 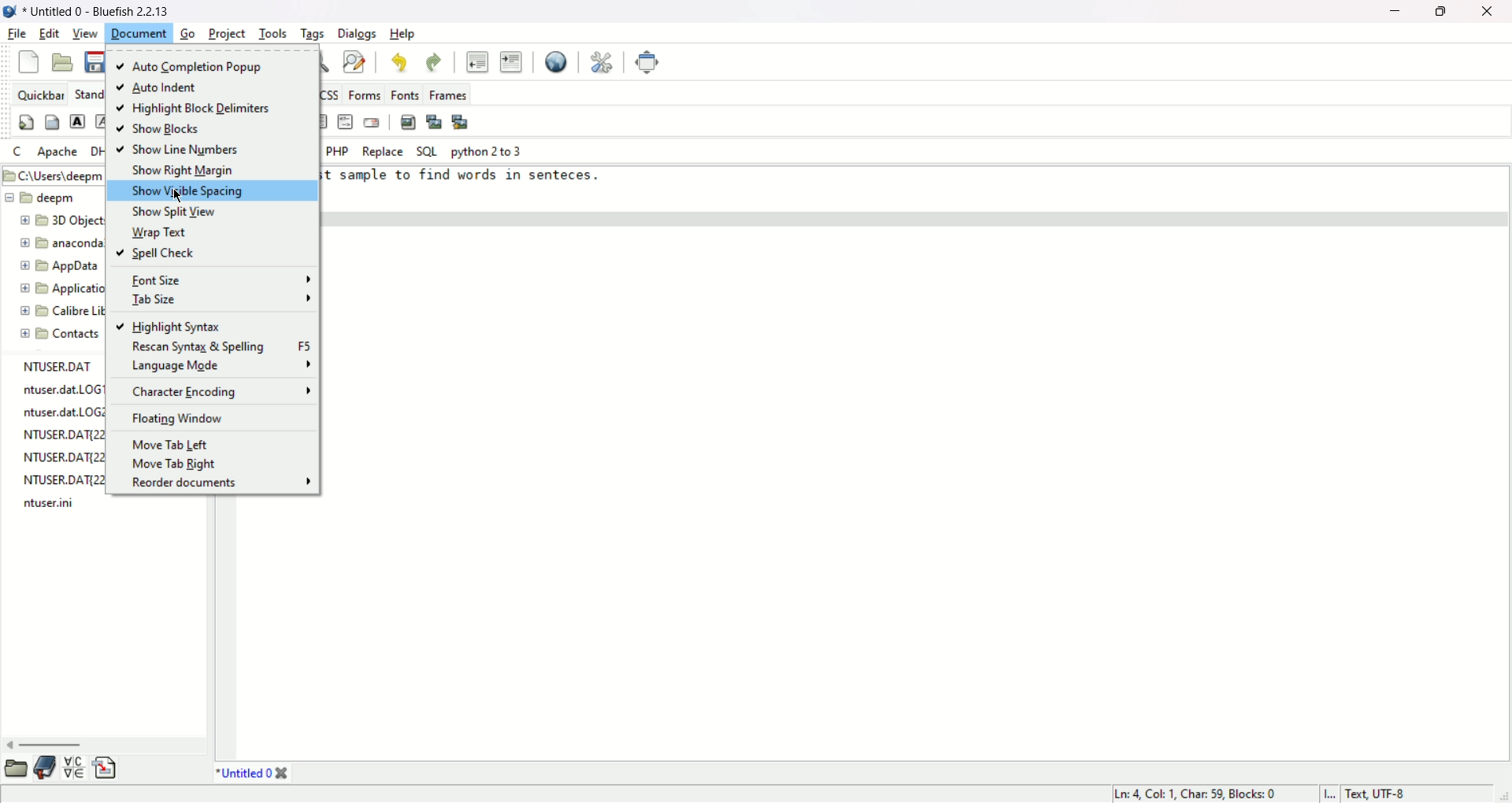 What do you see at coordinates (104, 744) in the screenshot?
I see `scroll bar` at bounding box center [104, 744].